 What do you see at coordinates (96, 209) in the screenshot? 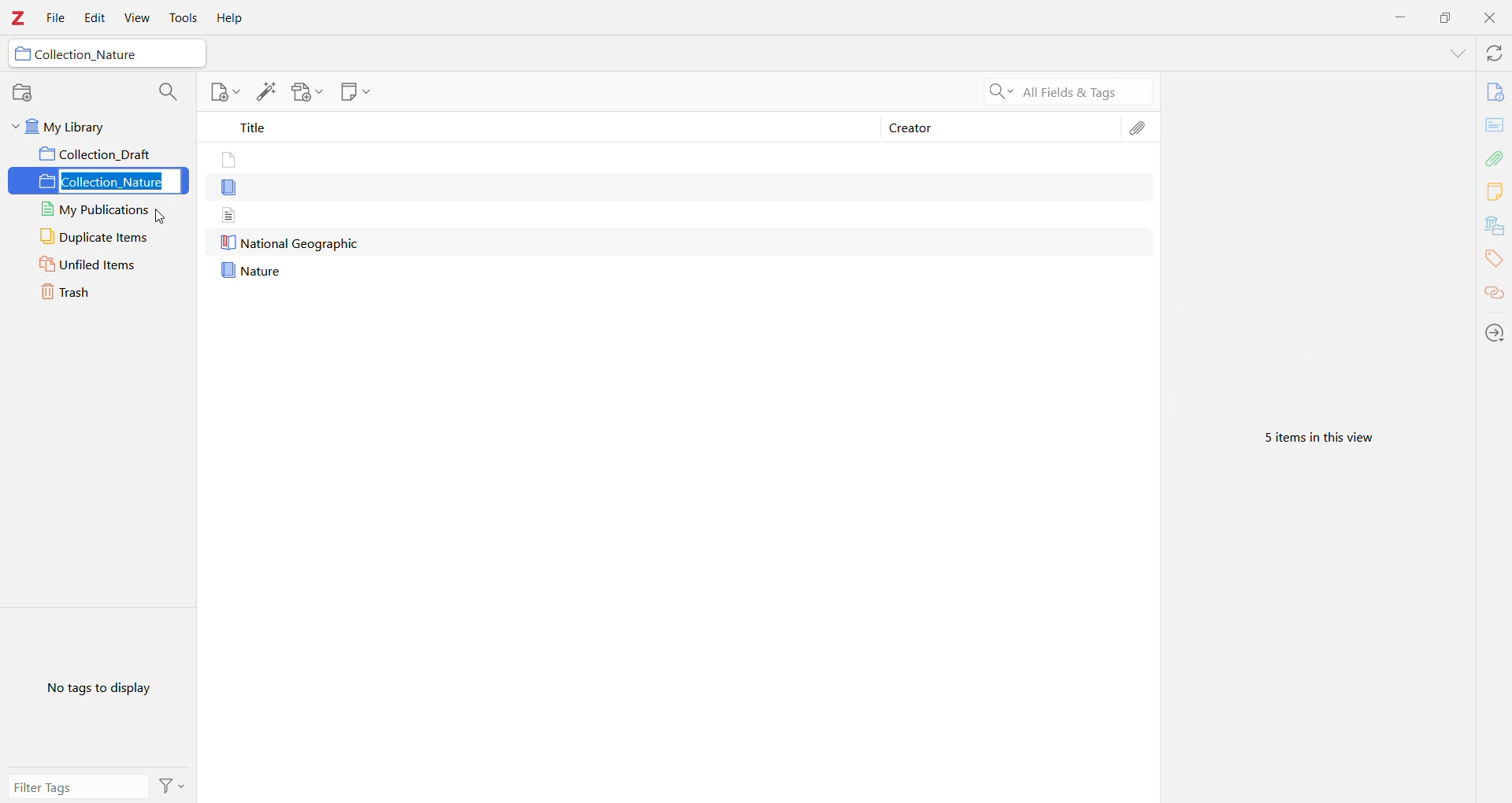
I see `My Publications` at bounding box center [96, 209].